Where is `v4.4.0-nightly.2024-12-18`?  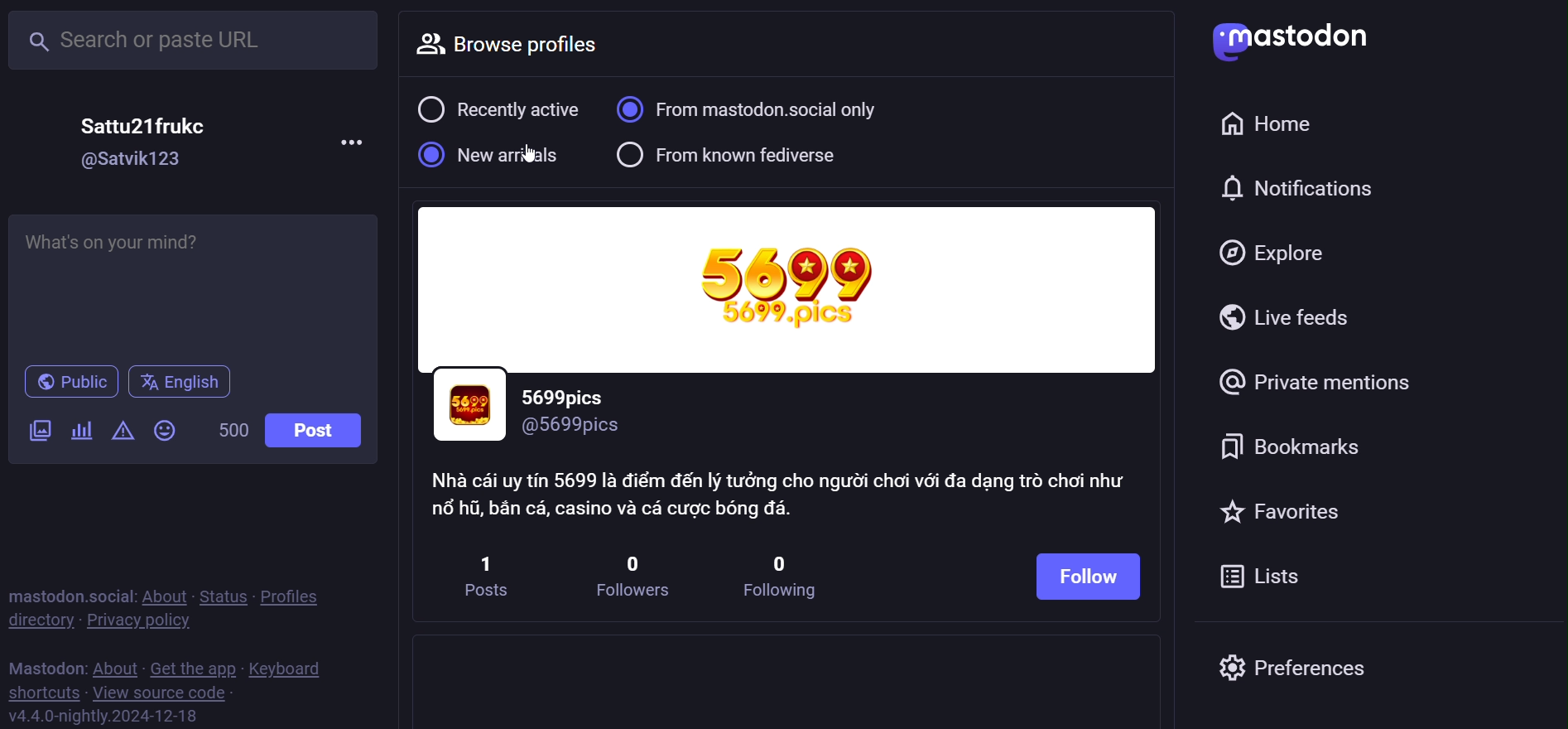 v4.4.0-nightly.2024-12-18 is located at coordinates (103, 717).